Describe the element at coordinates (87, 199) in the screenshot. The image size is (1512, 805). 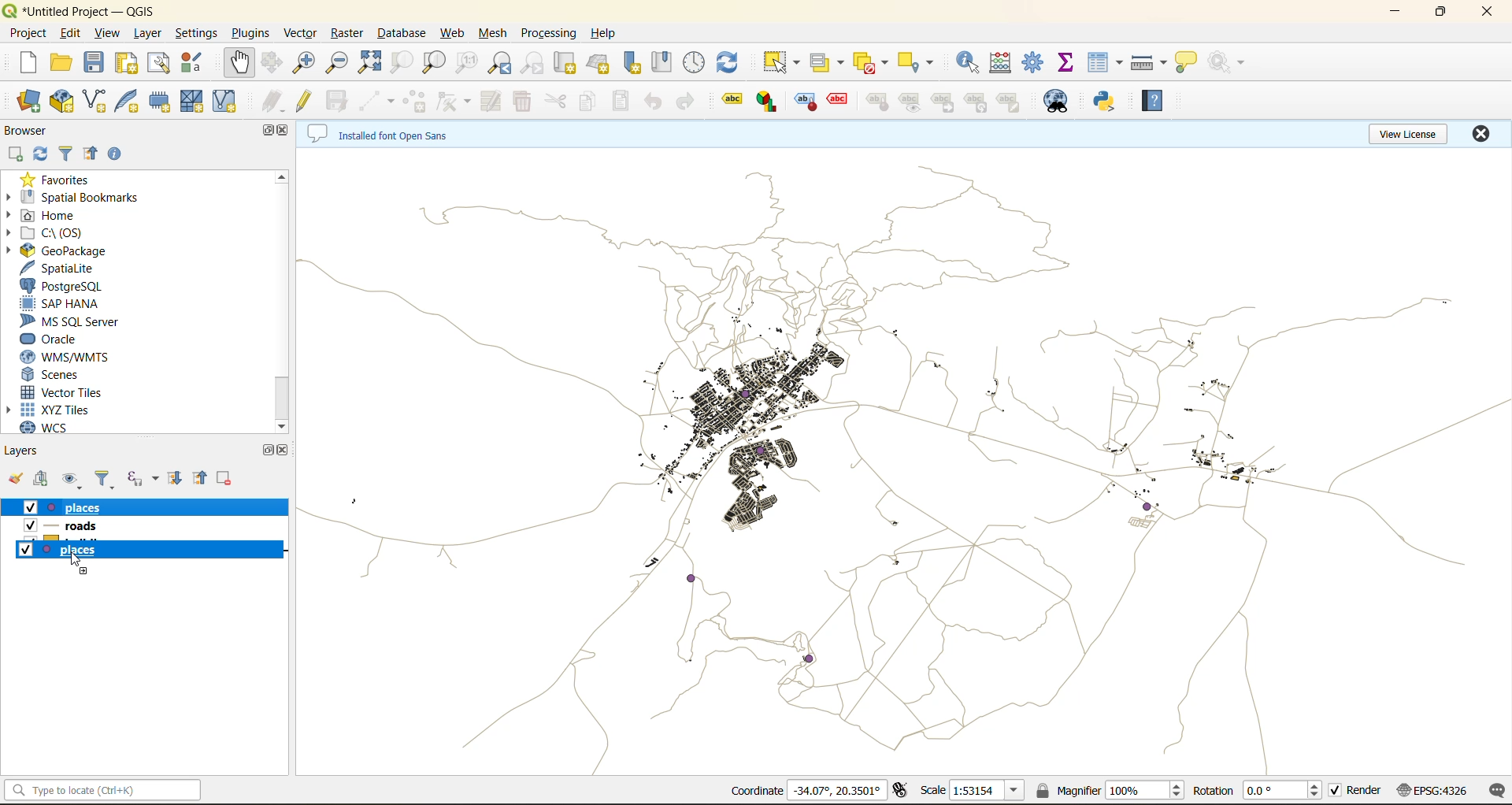
I see `spatial bookmarks` at that location.